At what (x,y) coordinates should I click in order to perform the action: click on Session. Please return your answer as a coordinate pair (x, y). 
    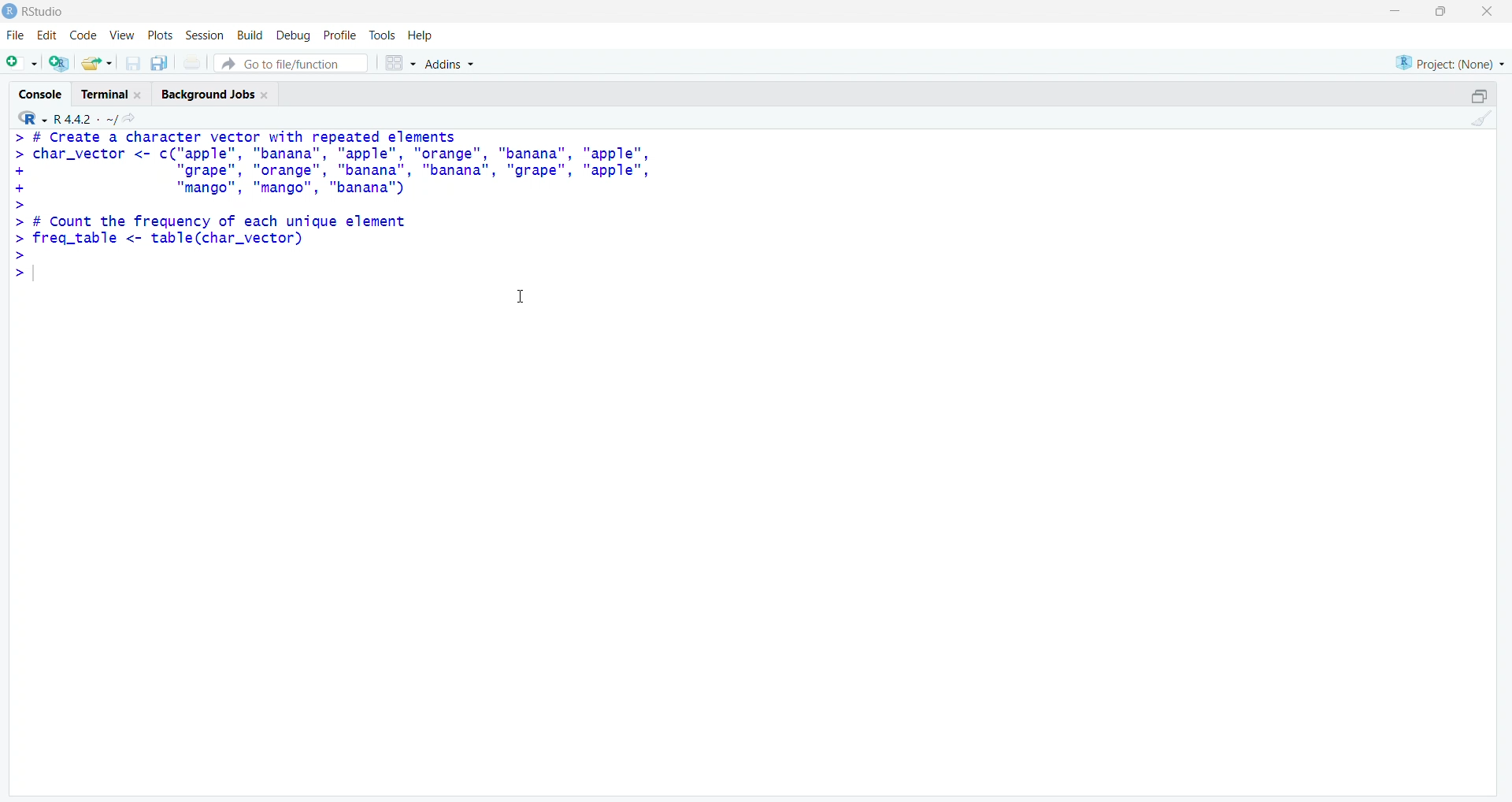
    Looking at the image, I should click on (206, 35).